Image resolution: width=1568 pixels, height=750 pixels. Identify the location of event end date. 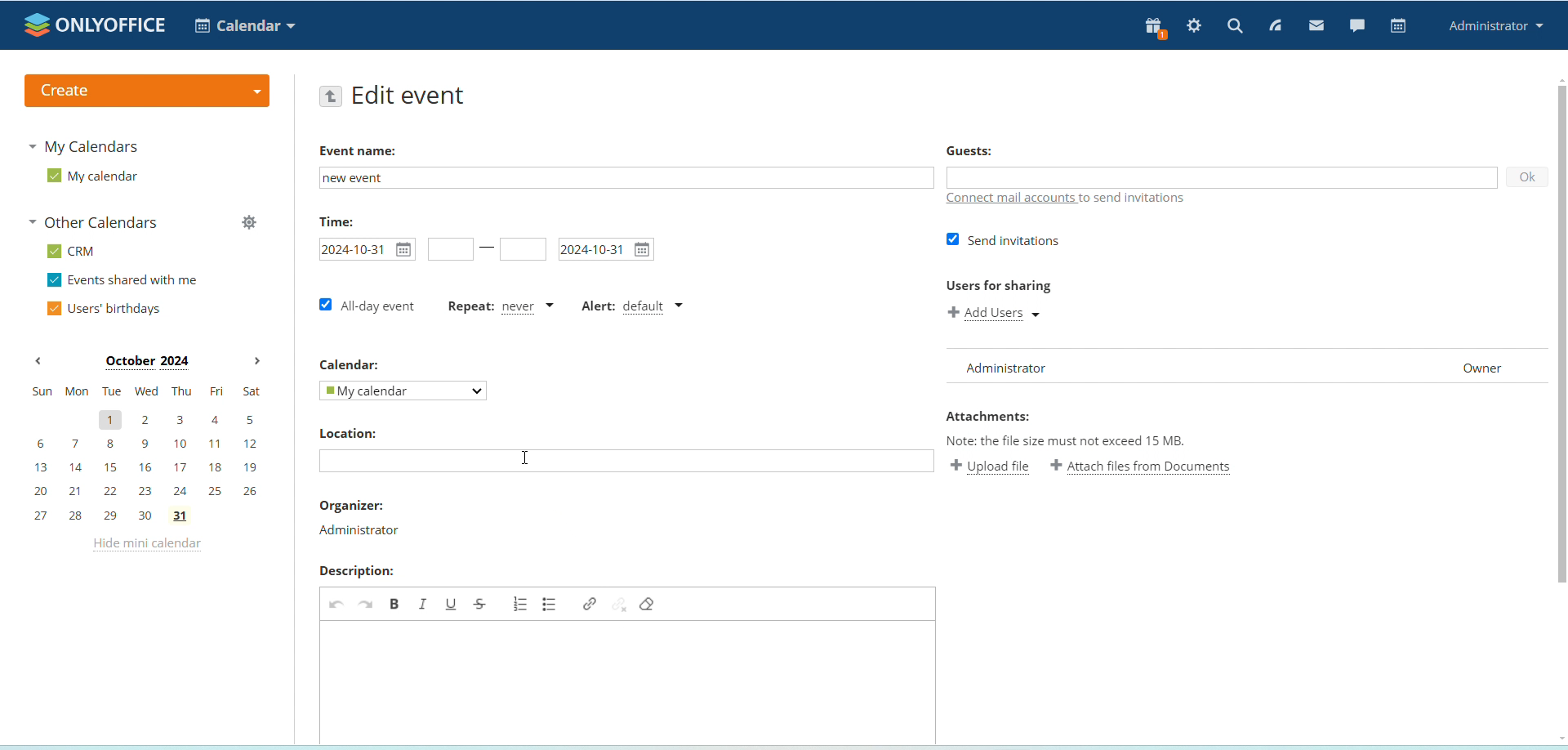
(605, 250).